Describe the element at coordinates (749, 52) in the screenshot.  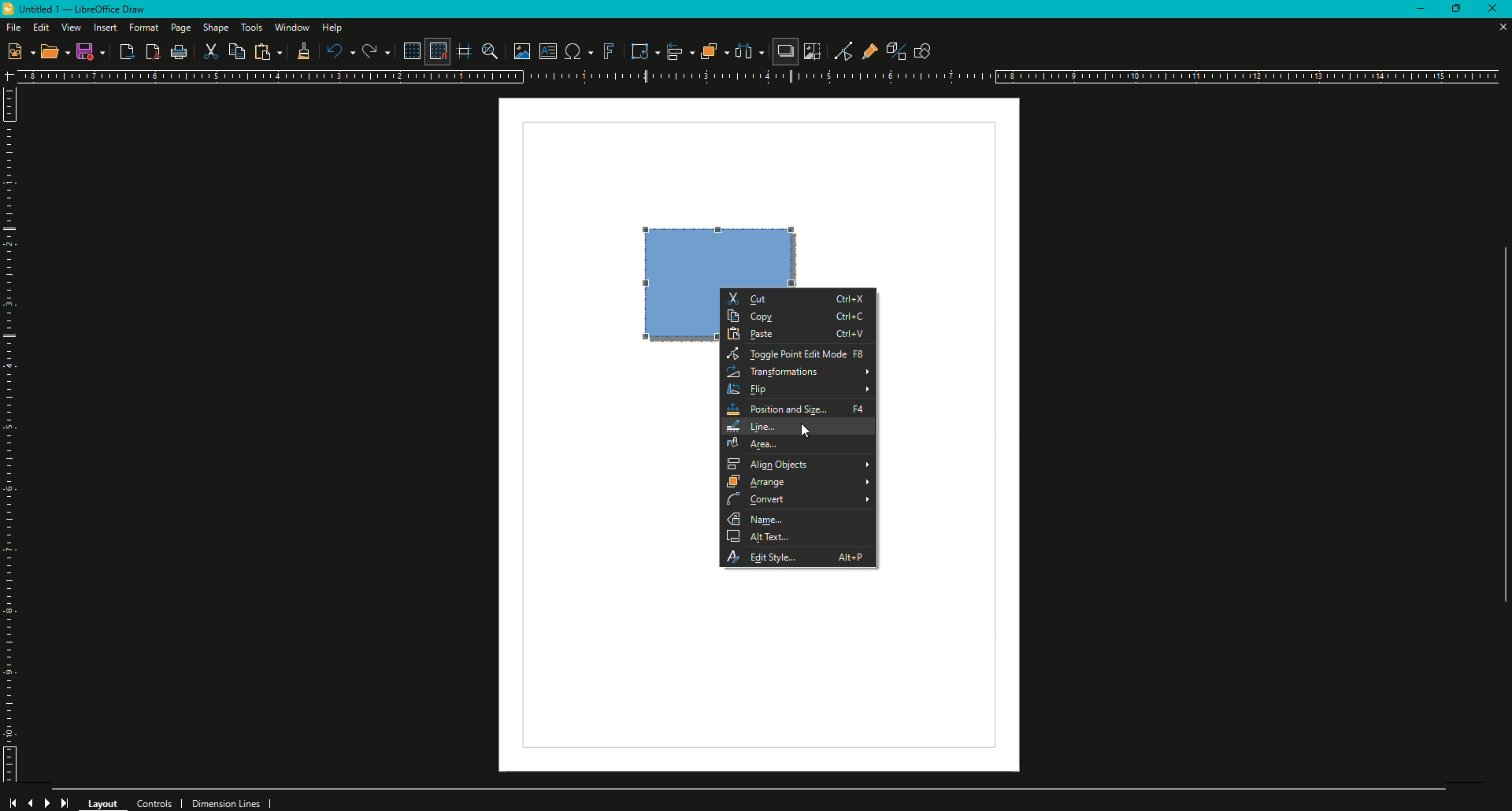
I see `Select three objects` at that location.